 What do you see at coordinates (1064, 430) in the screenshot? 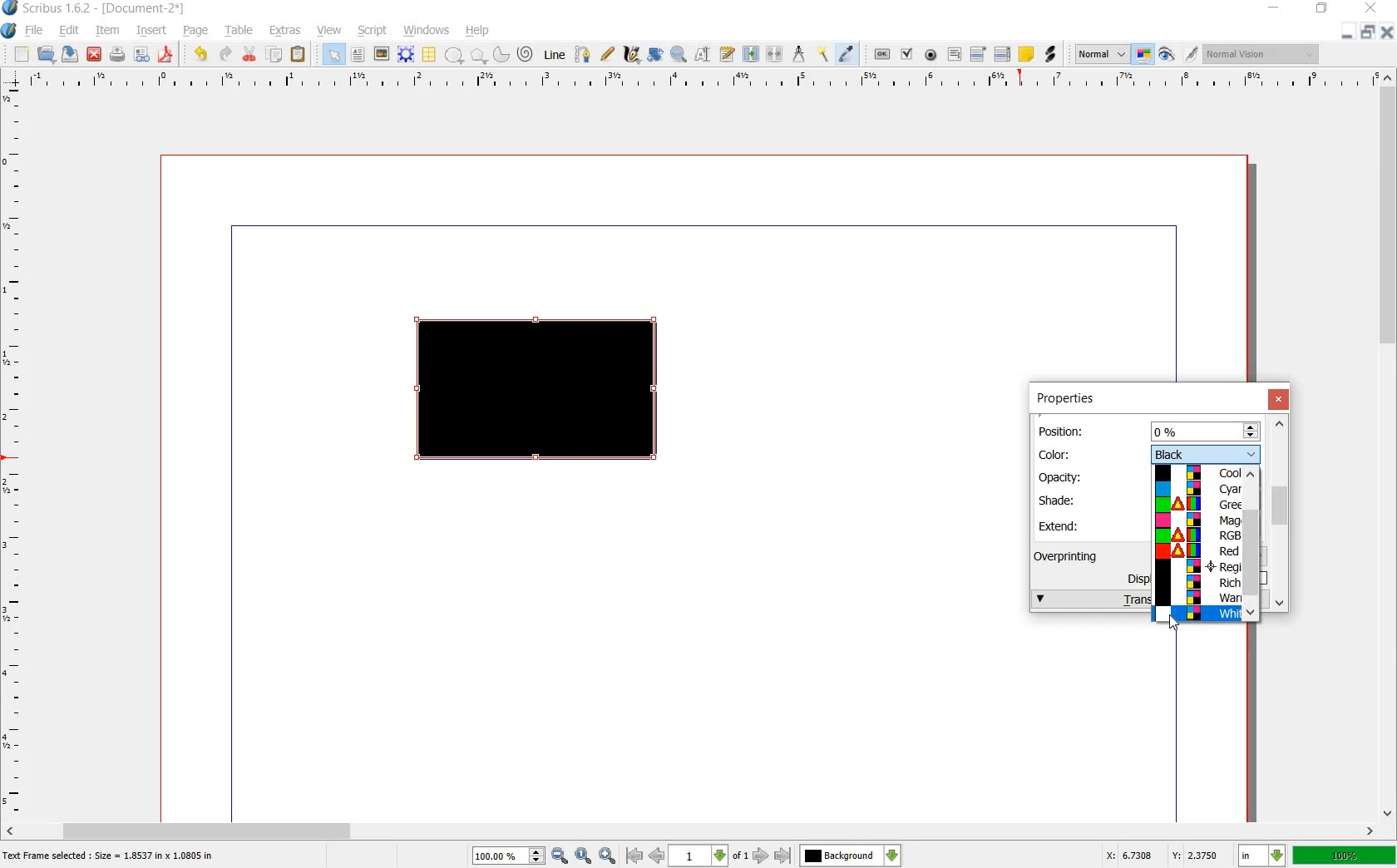
I see `position` at bounding box center [1064, 430].